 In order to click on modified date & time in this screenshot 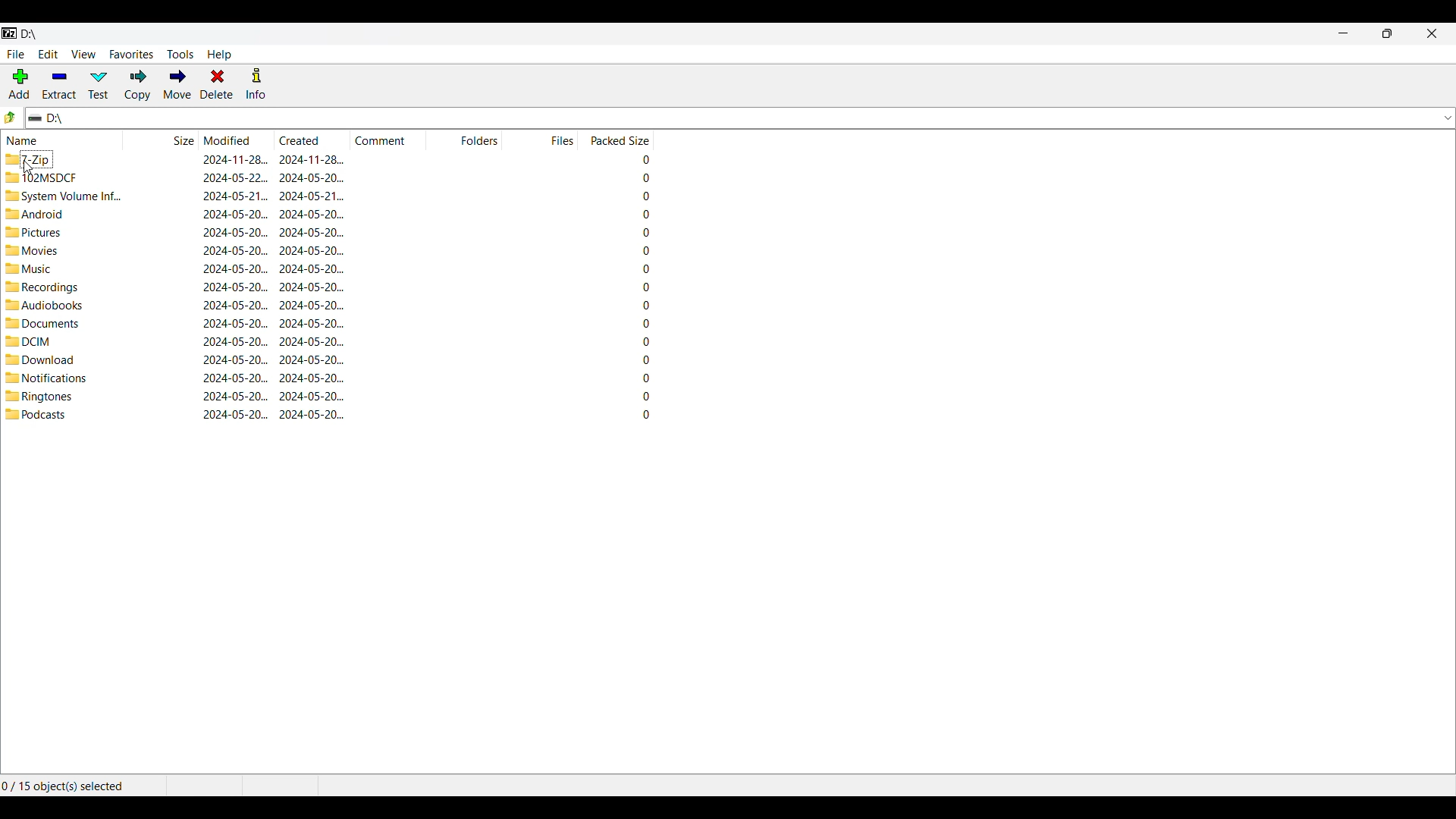, I will do `click(237, 397)`.